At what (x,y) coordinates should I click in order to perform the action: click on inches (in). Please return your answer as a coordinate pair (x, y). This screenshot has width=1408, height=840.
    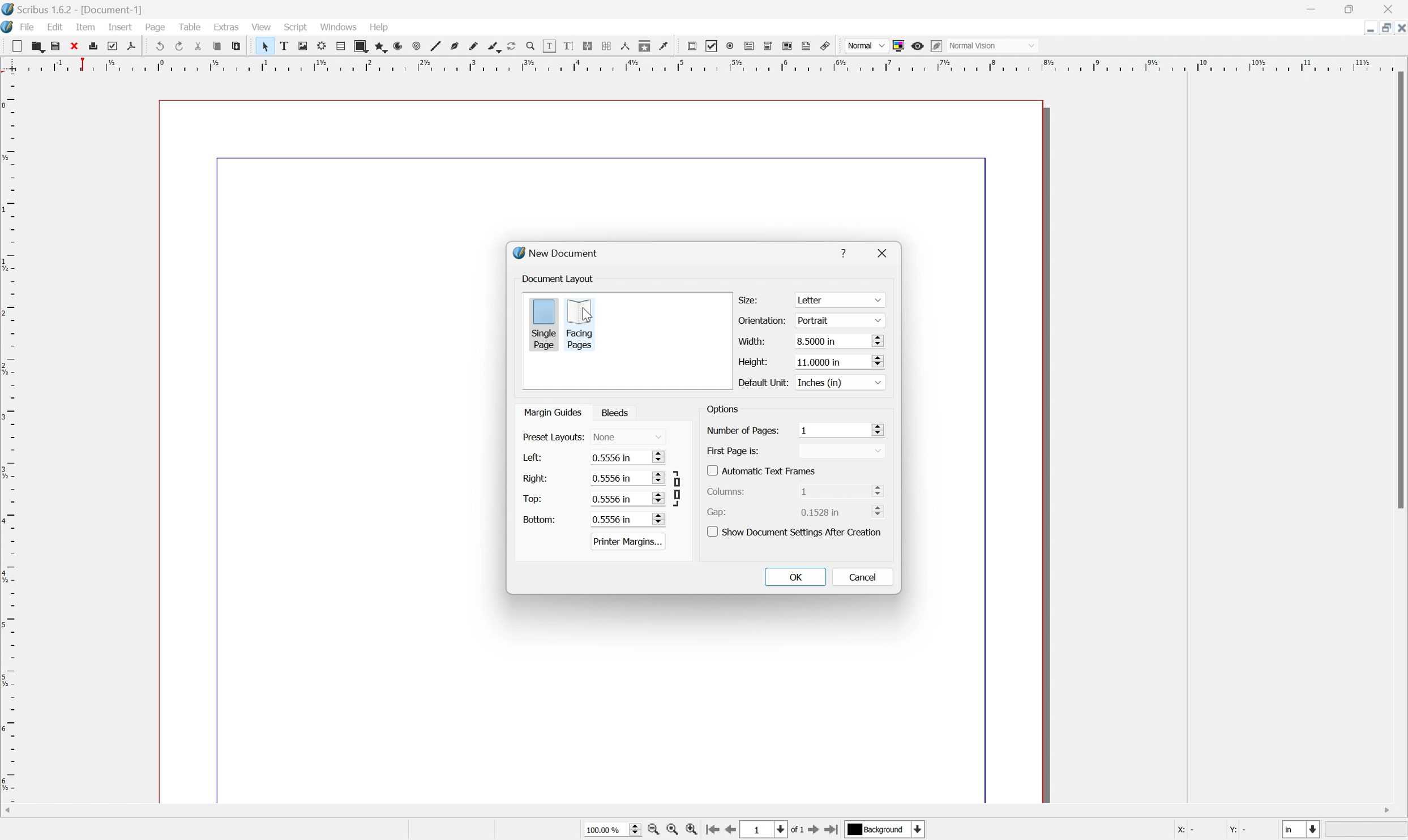
    Looking at the image, I should click on (838, 382).